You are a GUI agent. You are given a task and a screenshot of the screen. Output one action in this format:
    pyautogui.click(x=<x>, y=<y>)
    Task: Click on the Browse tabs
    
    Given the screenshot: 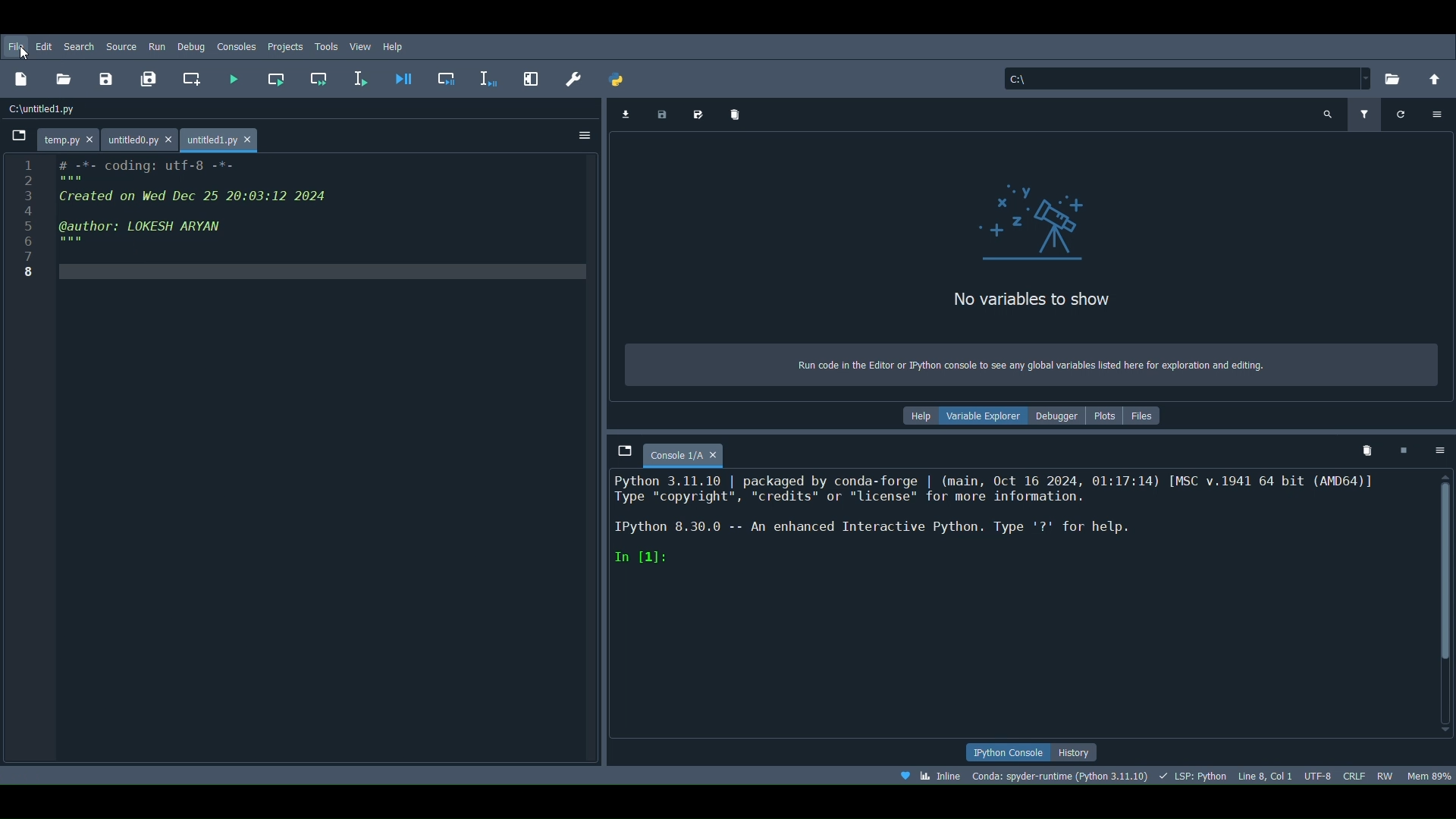 What is the action you would take?
    pyautogui.click(x=618, y=448)
    